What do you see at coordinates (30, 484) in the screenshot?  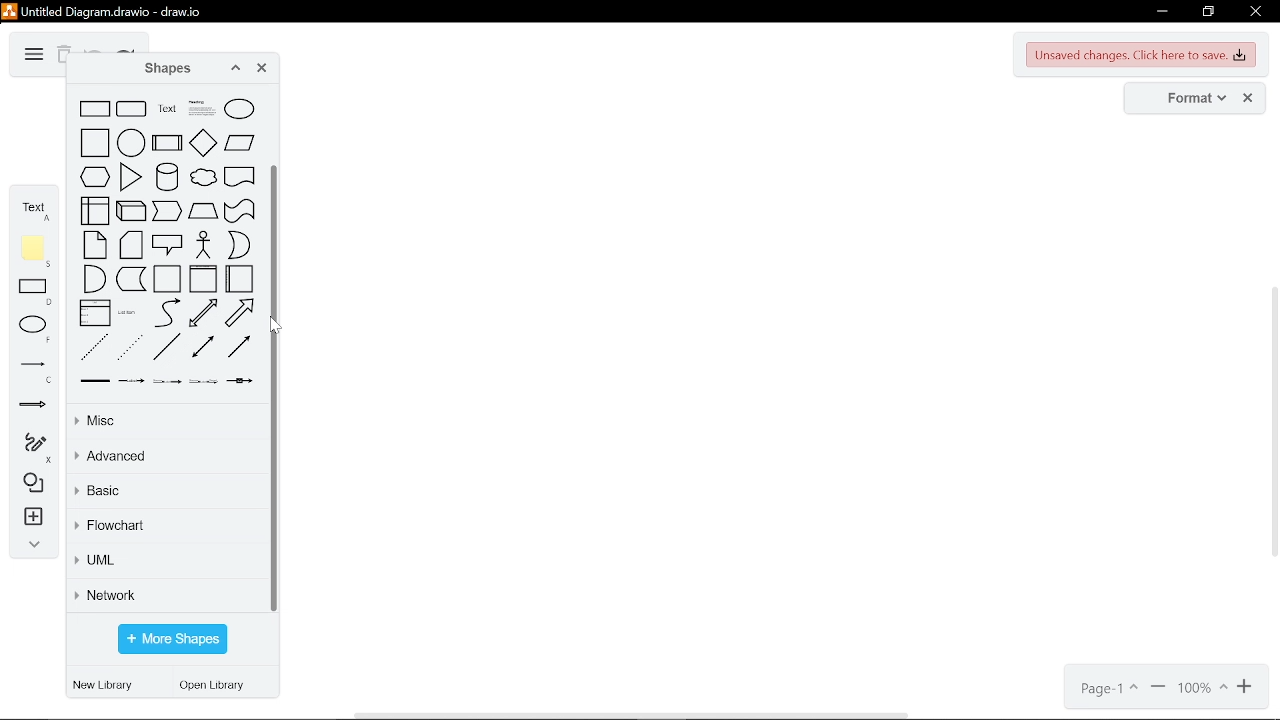 I see `shapes` at bounding box center [30, 484].